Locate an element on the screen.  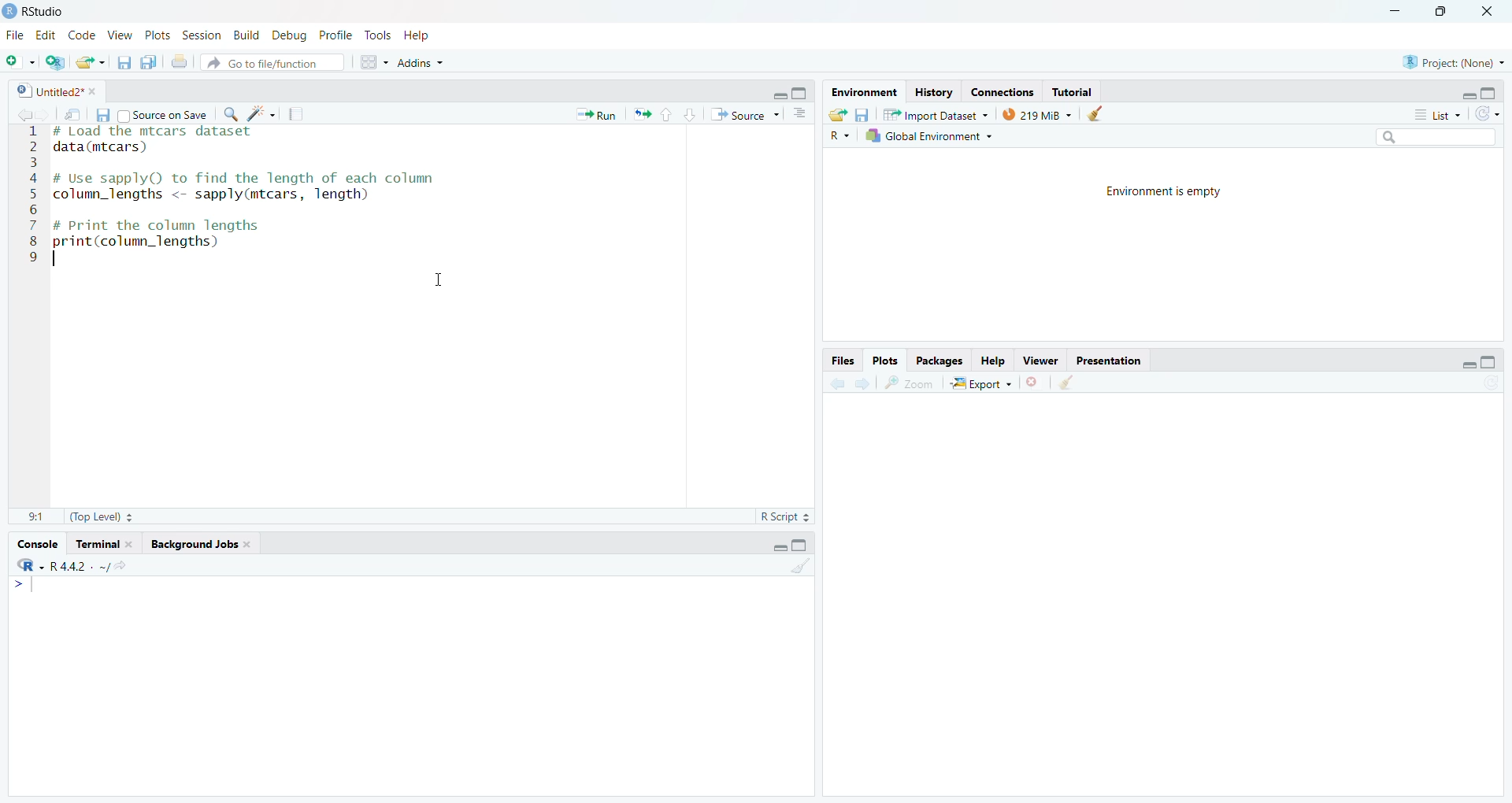
Hide is located at coordinates (1468, 94).